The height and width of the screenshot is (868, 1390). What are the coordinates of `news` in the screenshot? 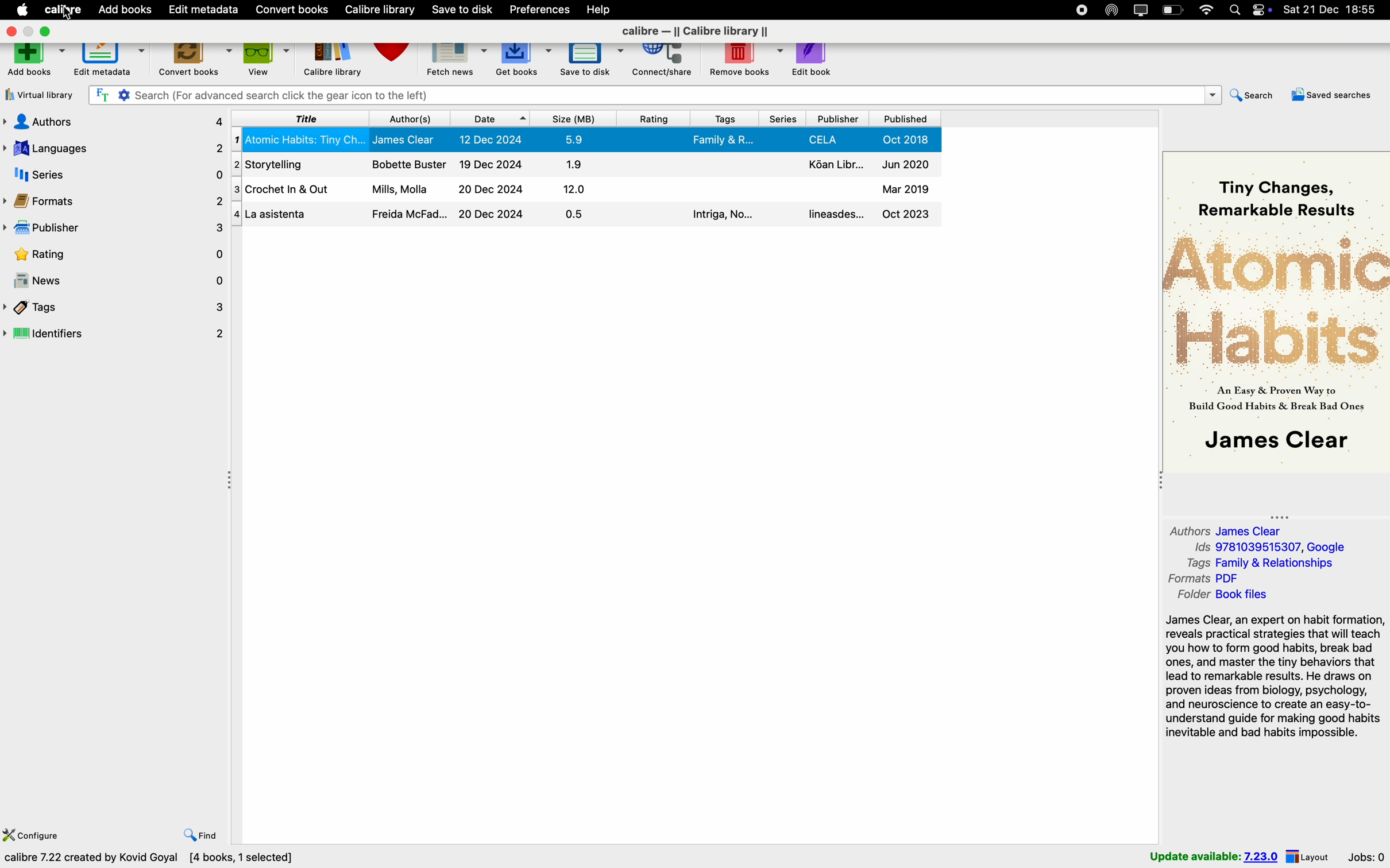 It's located at (113, 280).